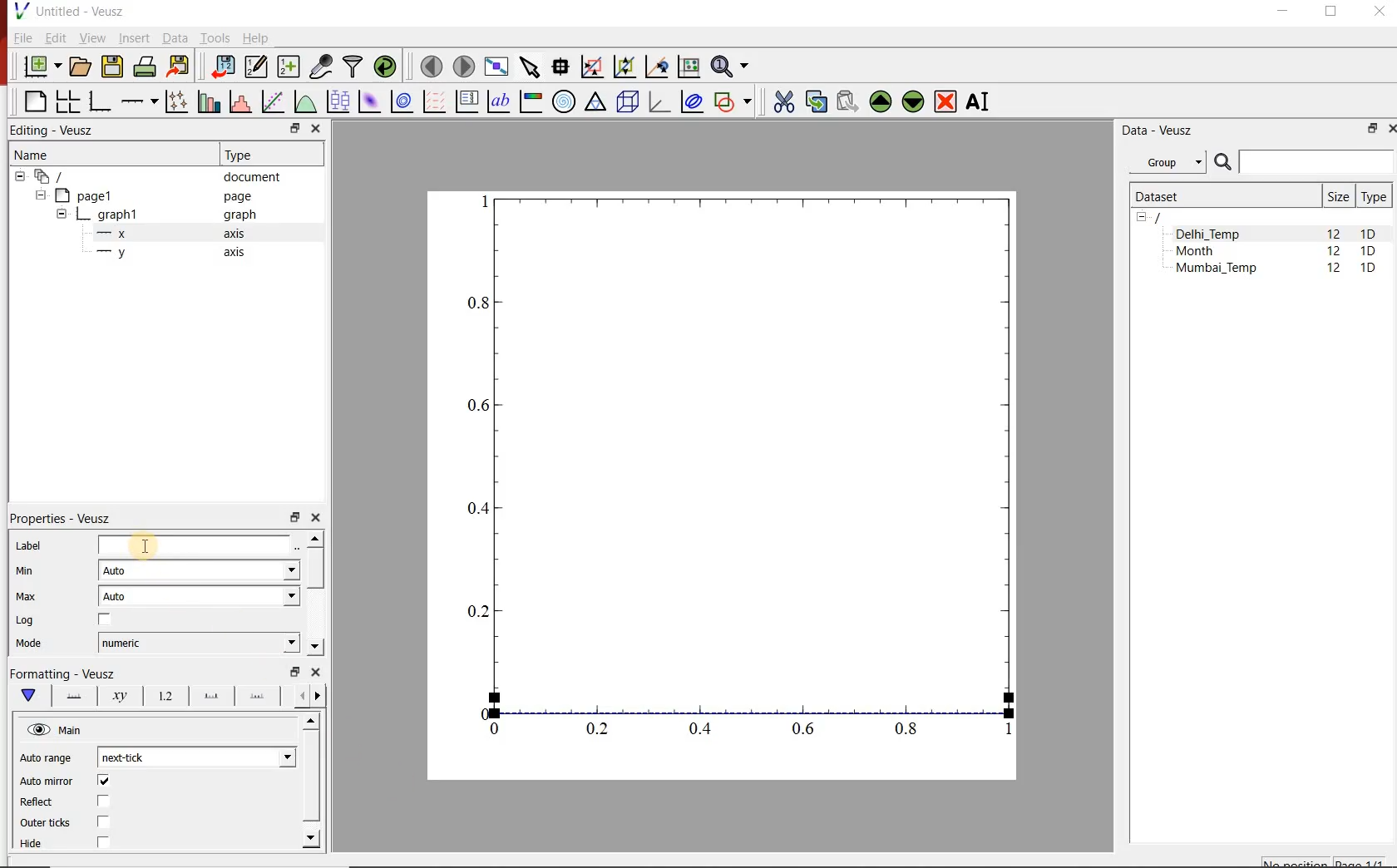 The height and width of the screenshot is (868, 1397). What do you see at coordinates (371, 101) in the screenshot?
I see `plot a 2d dataset as an image` at bounding box center [371, 101].